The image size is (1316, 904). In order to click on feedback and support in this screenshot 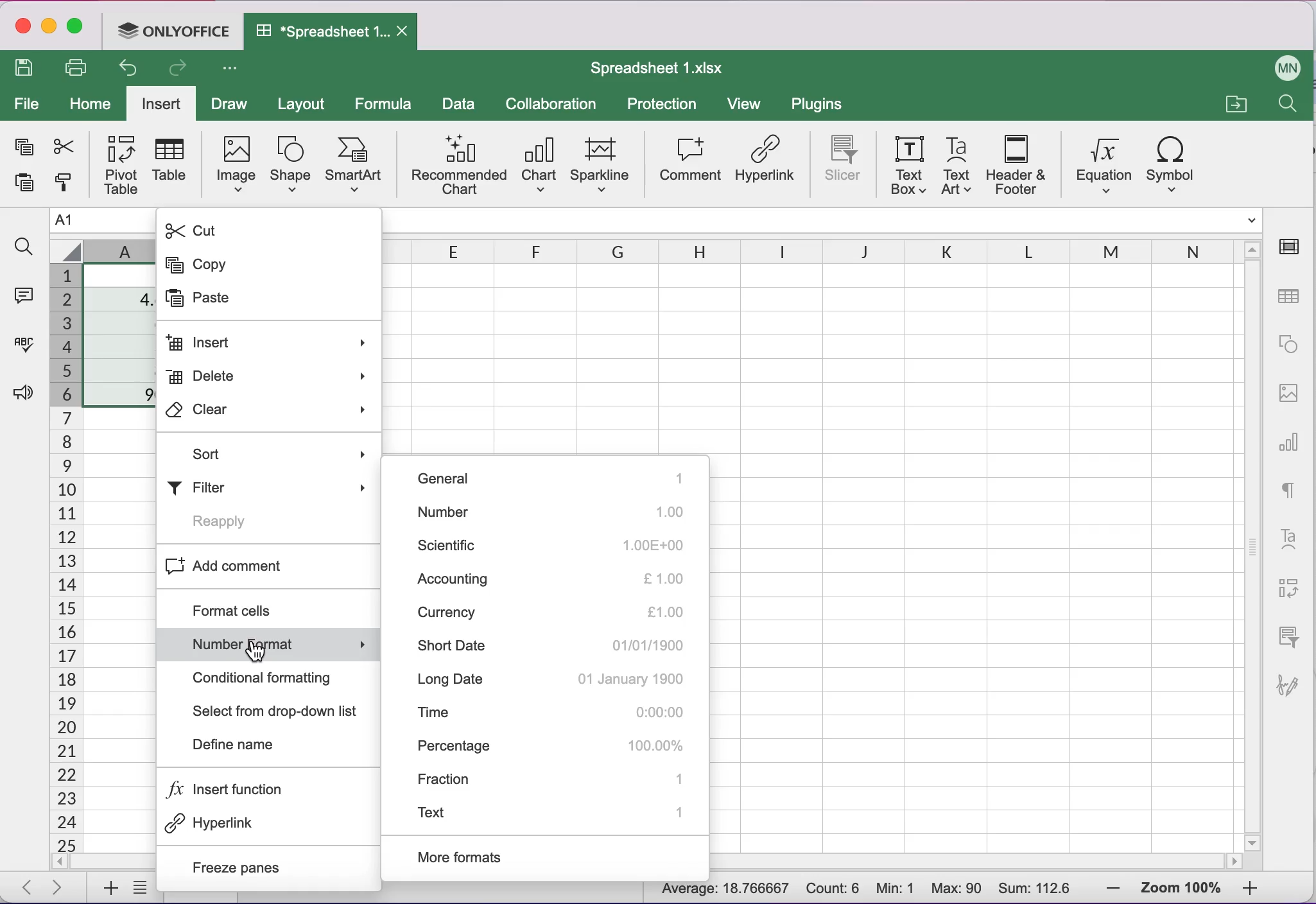, I will do `click(22, 391)`.